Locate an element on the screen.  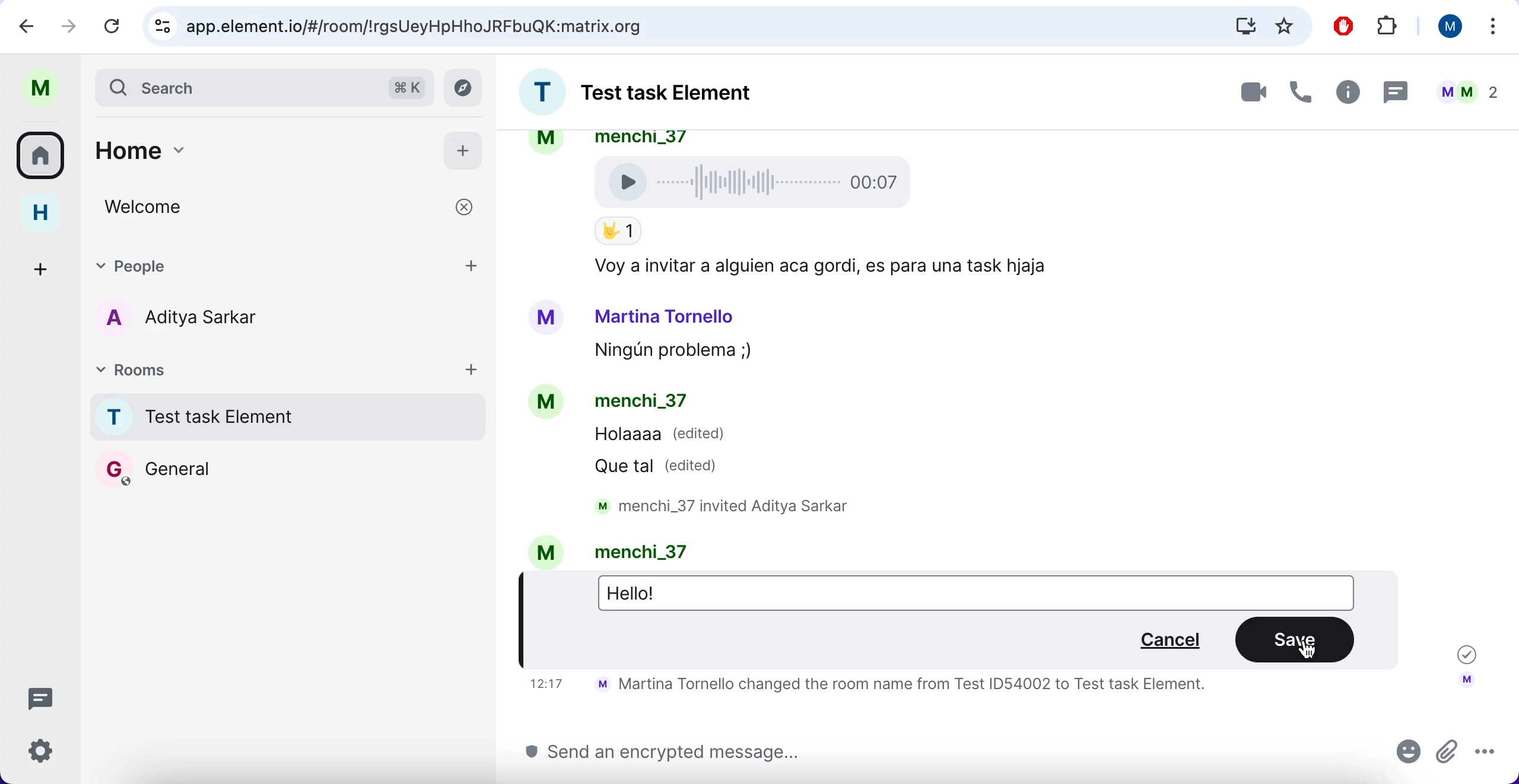
user is located at coordinates (49, 87).